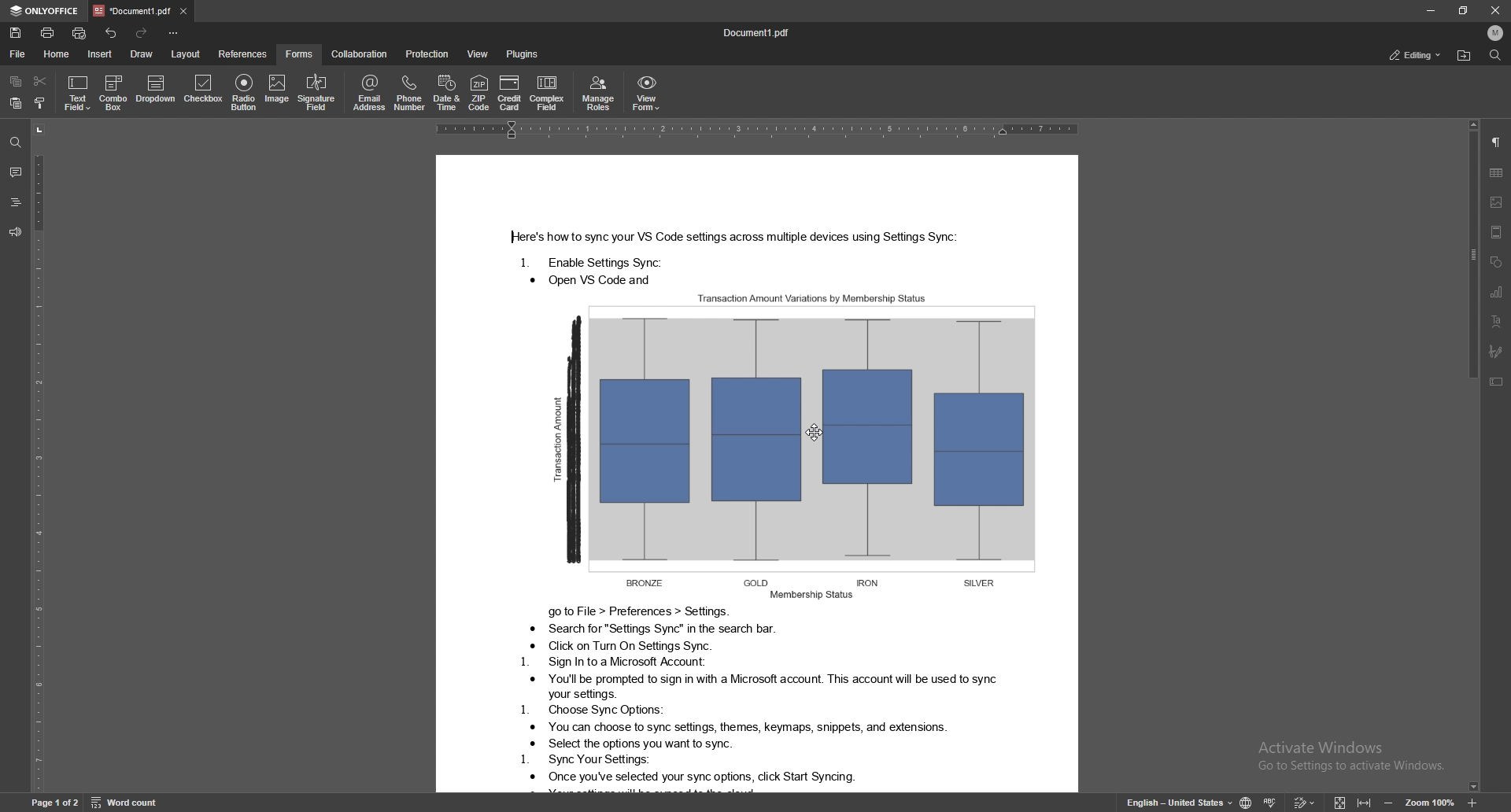 The image size is (1511, 812). Describe the element at coordinates (157, 91) in the screenshot. I see `dropdown` at that location.